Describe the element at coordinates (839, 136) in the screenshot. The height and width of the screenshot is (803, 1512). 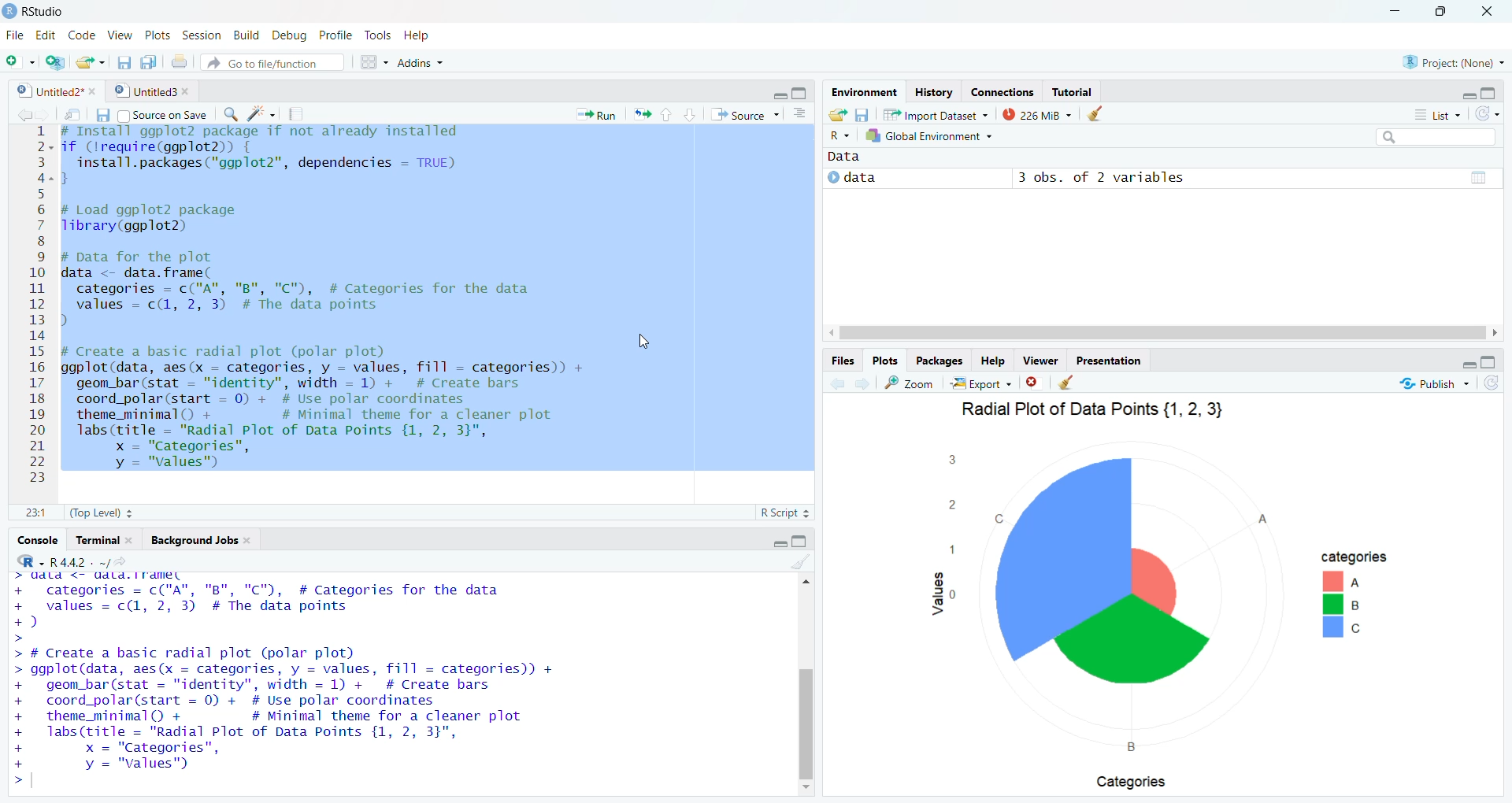
I see `` at that location.